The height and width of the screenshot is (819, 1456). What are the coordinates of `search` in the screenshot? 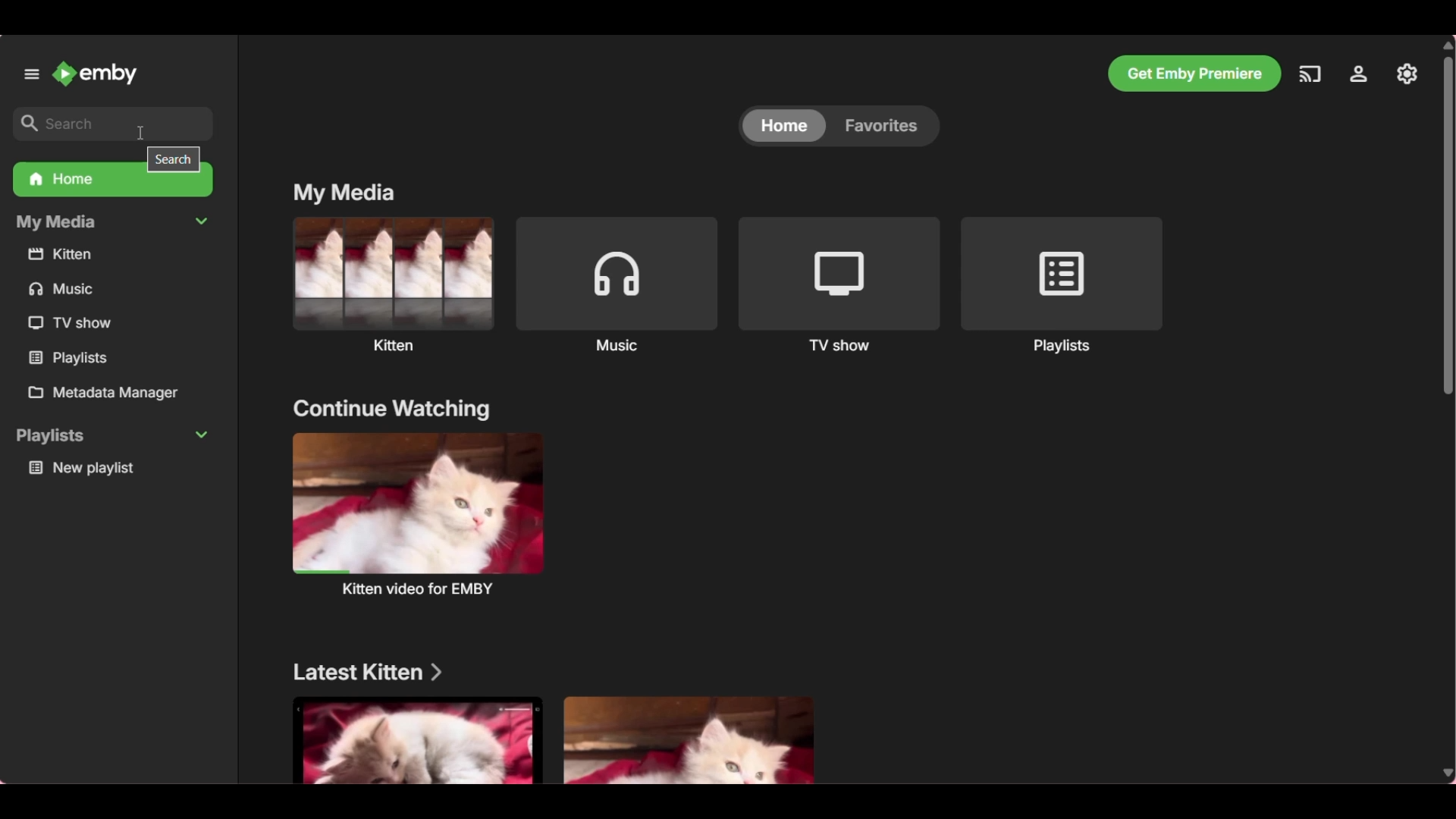 It's located at (110, 125).